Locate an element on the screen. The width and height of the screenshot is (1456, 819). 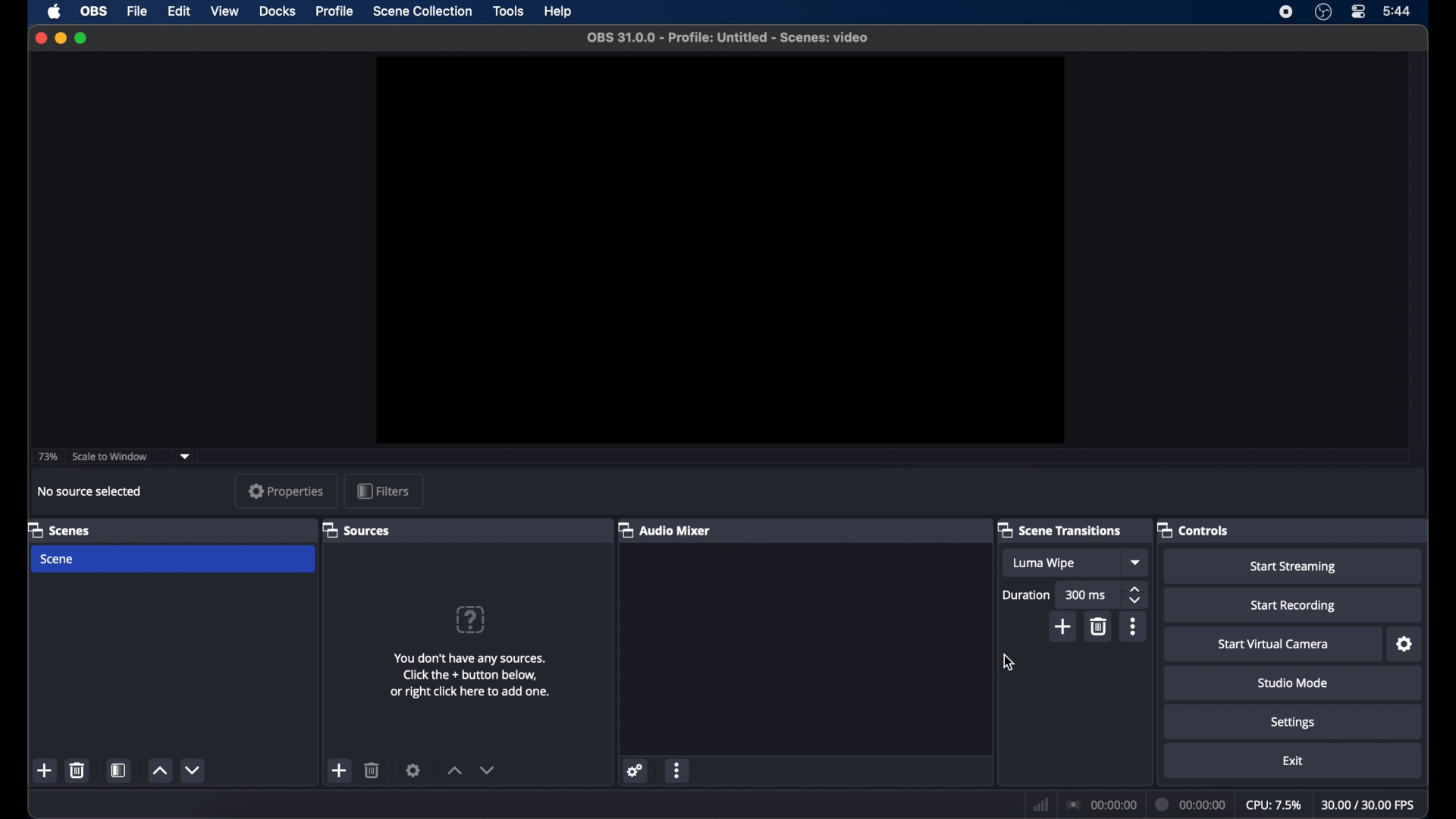
controls is located at coordinates (1194, 529).